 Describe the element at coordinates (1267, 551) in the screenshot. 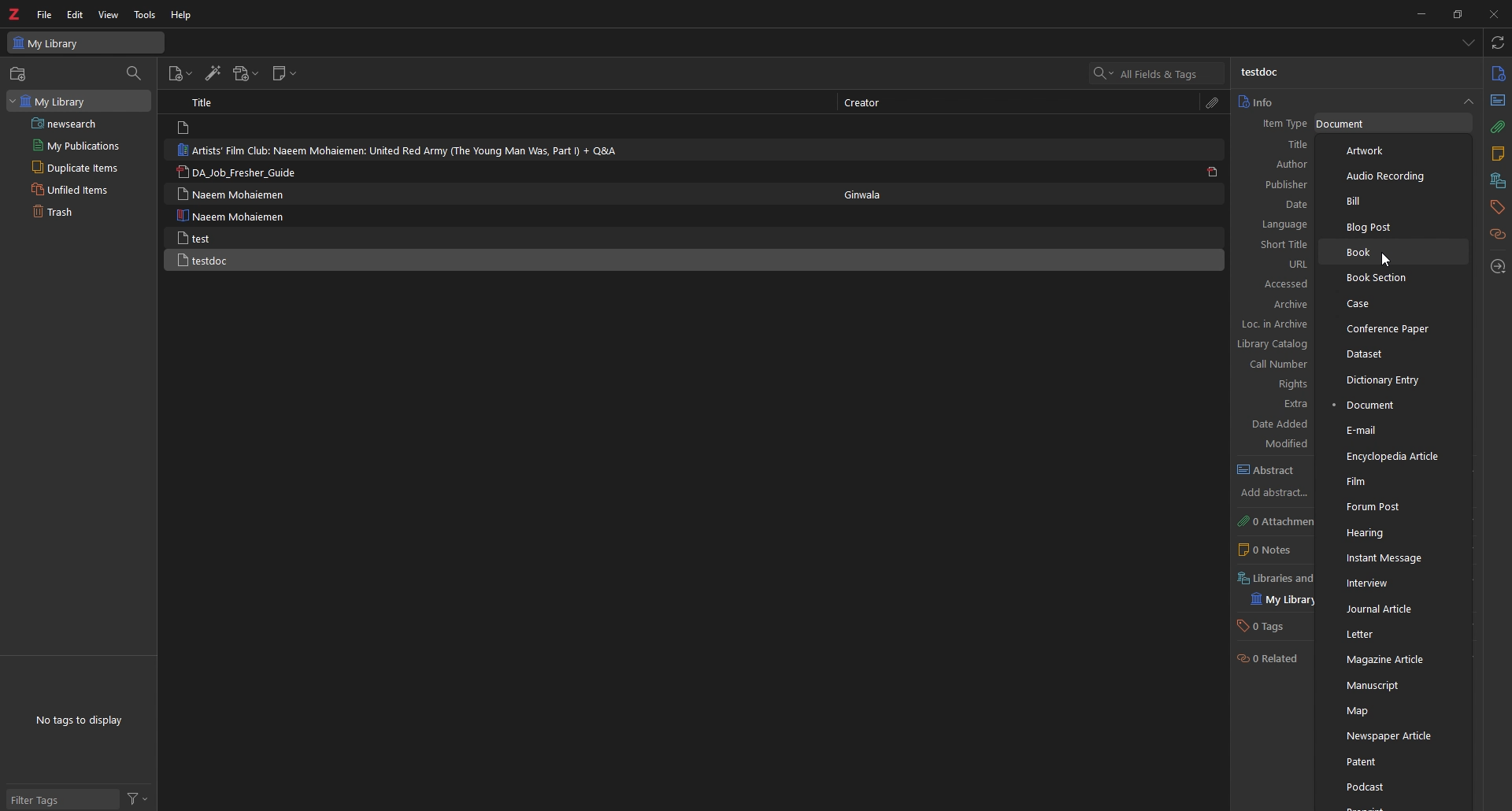

I see `0 Notes` at that location.